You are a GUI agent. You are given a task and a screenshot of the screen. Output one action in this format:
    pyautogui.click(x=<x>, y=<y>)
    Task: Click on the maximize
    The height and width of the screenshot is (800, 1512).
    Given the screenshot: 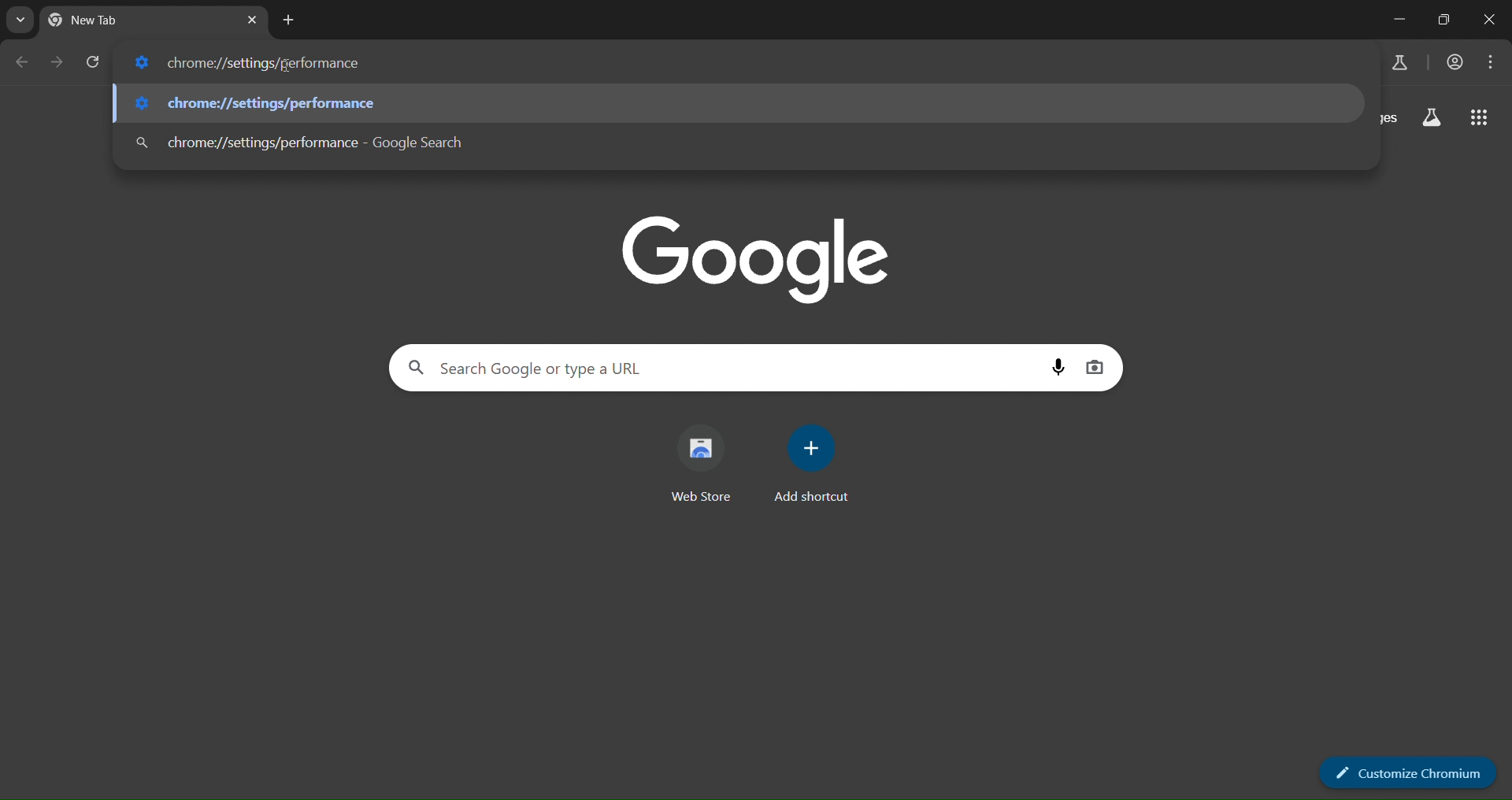 What is the action you would take?
    pyautogui.click(x=1444, y=20)
    